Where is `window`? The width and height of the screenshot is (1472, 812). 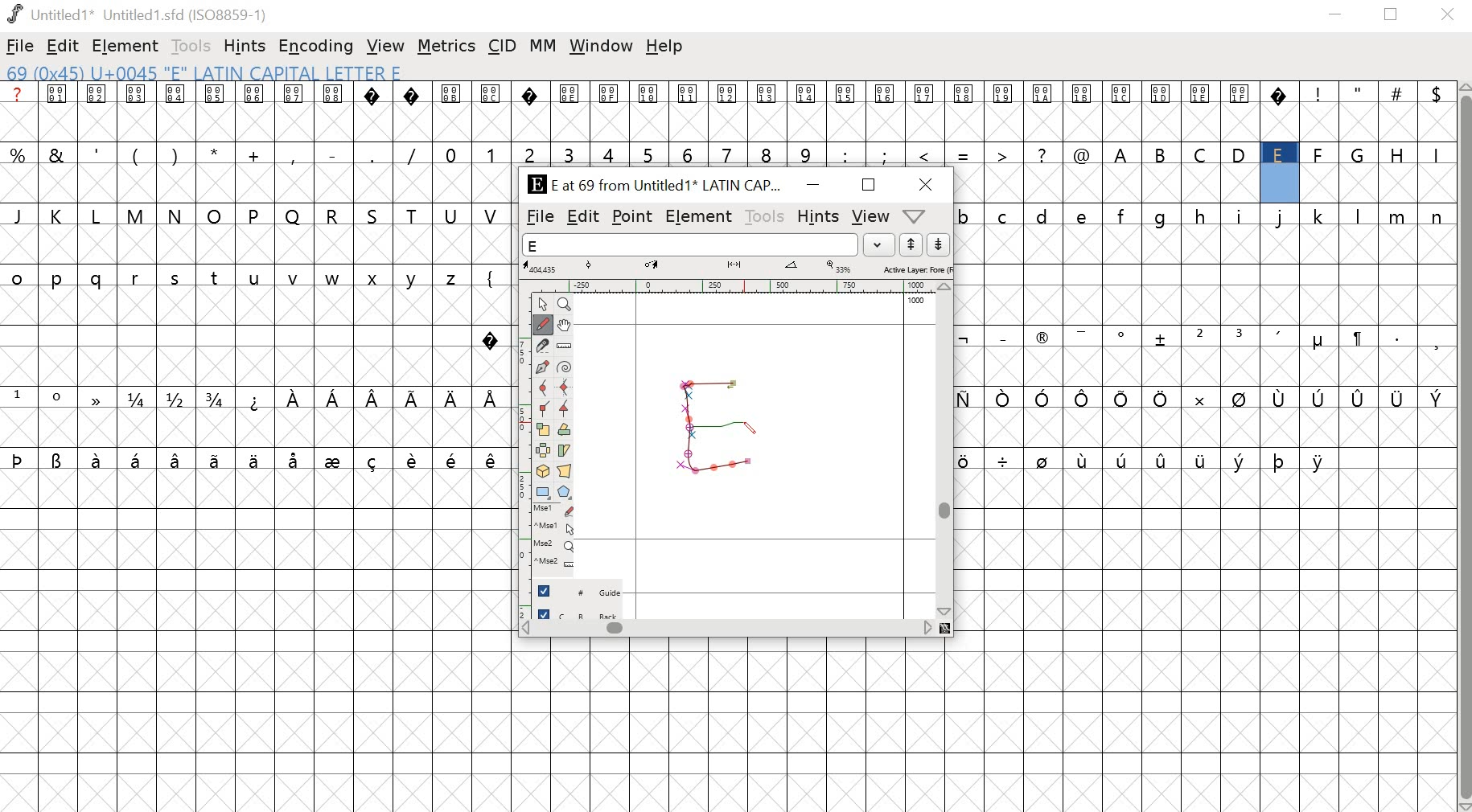 window is located at coordinates (599, 45).